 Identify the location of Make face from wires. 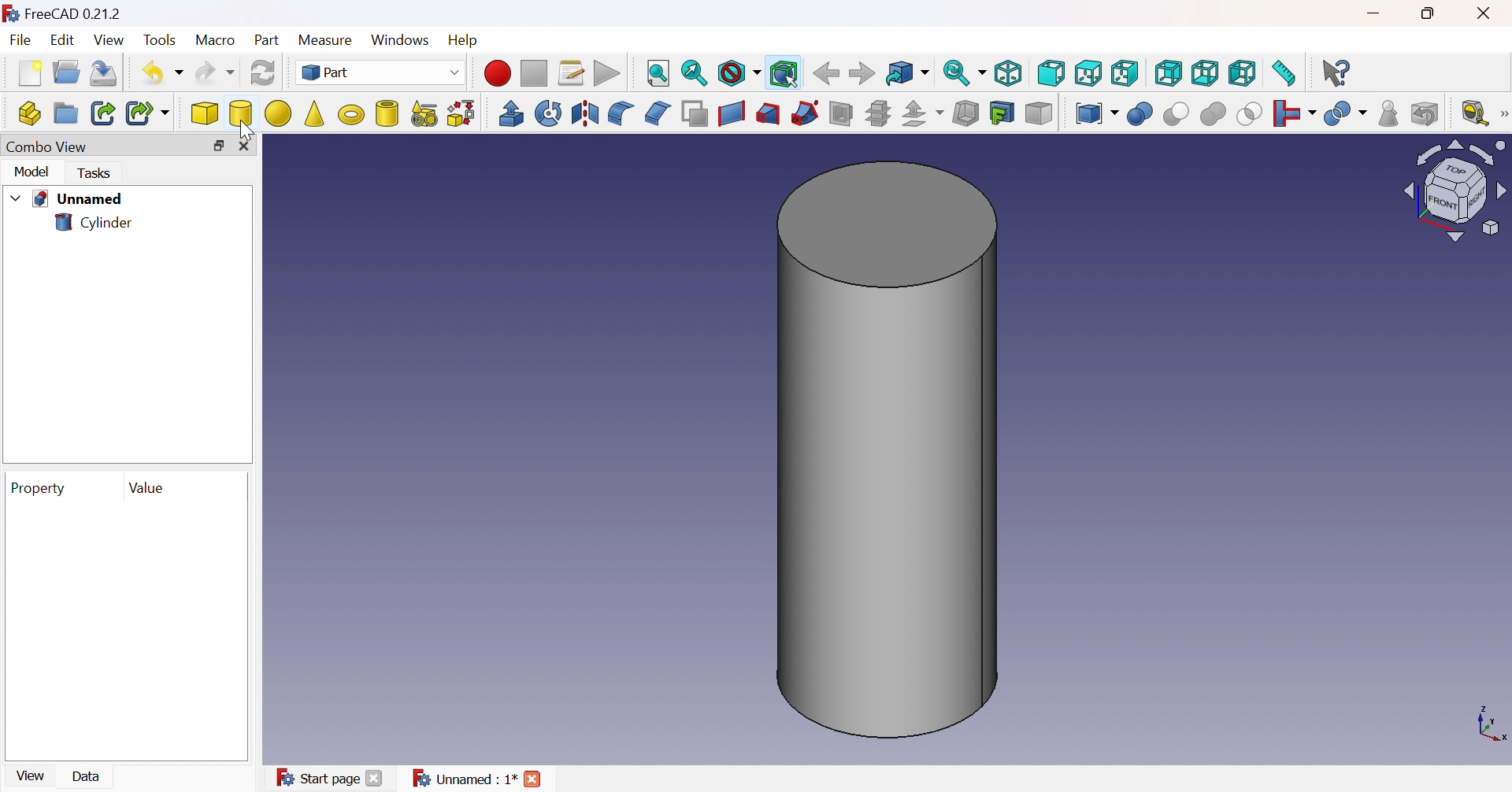
(695, 116).